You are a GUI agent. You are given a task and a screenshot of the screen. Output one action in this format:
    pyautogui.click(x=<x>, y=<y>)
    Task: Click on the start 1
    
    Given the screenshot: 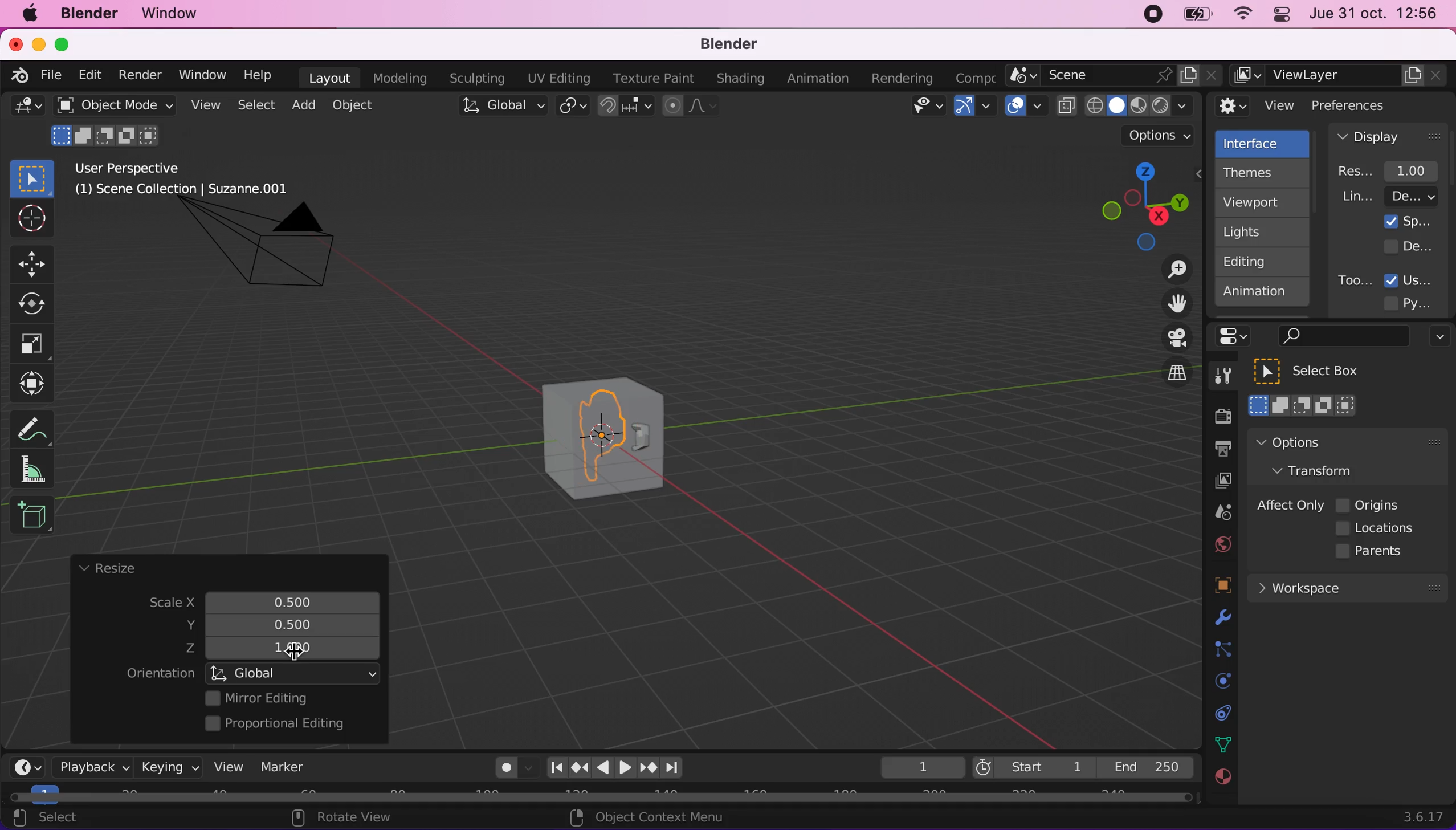 What is the action you would take?
    pyautogui.click(x=1032, y=767)
    